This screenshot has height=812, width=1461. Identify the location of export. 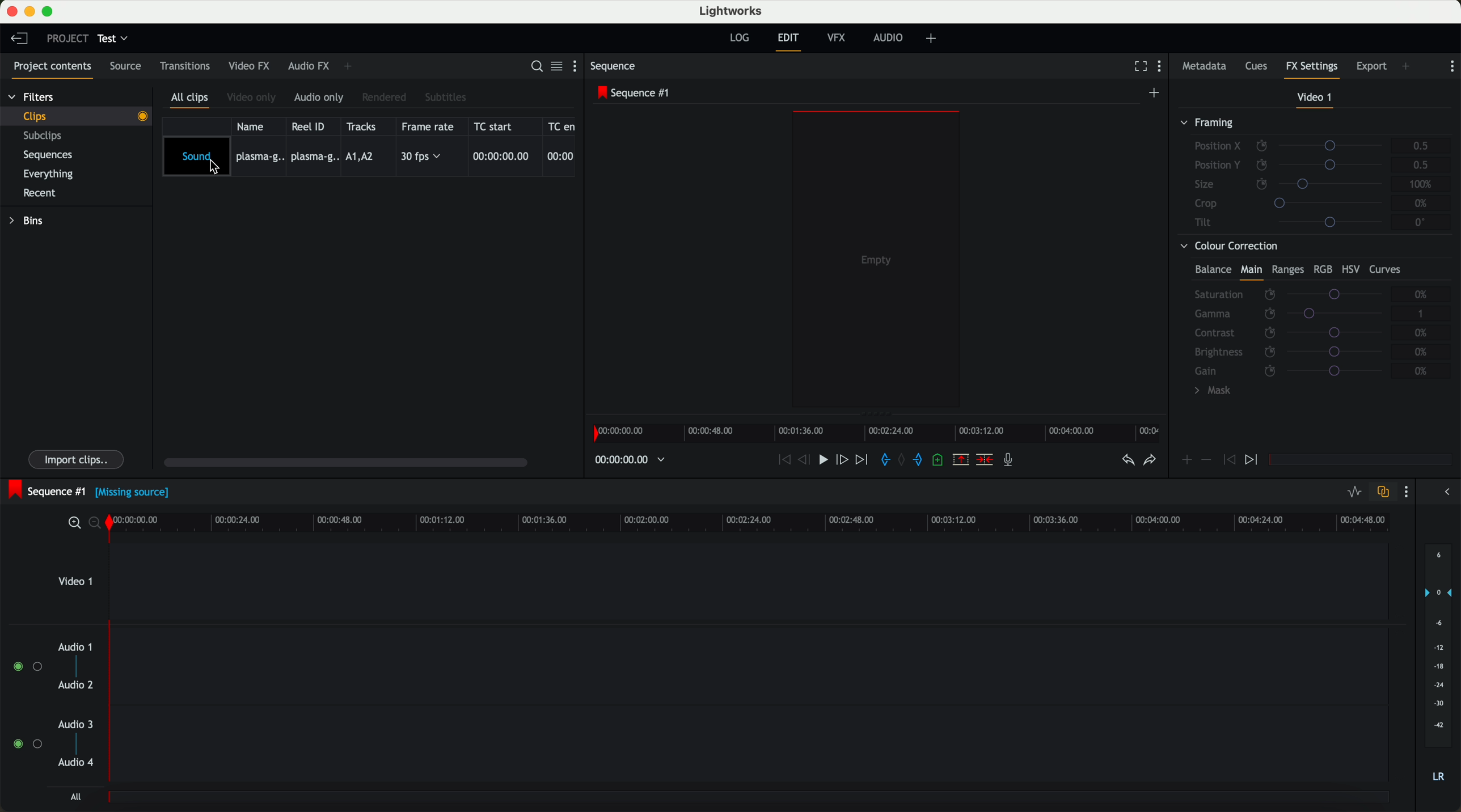
(1370, 65).